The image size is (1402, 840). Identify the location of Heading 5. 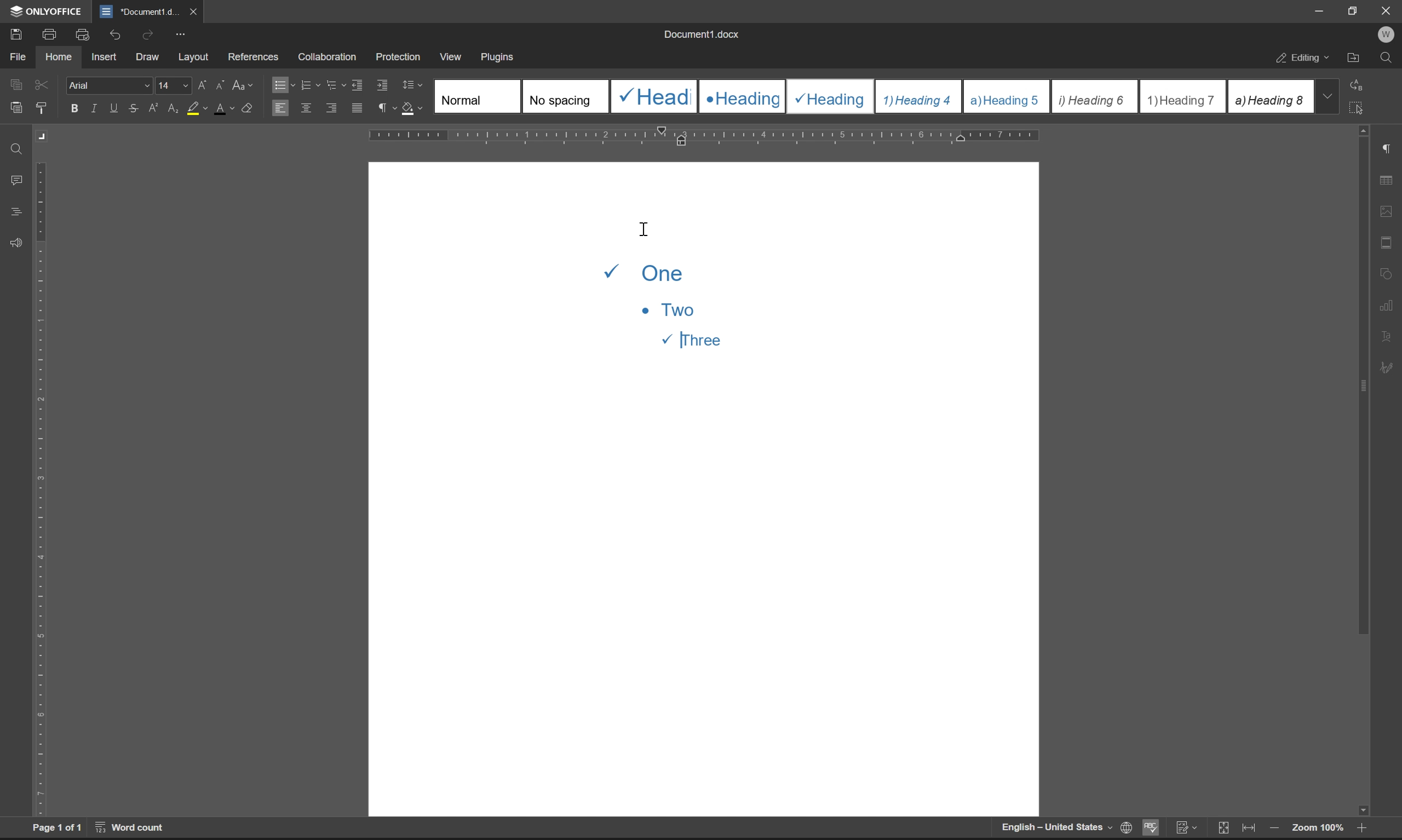
(1007, 96).